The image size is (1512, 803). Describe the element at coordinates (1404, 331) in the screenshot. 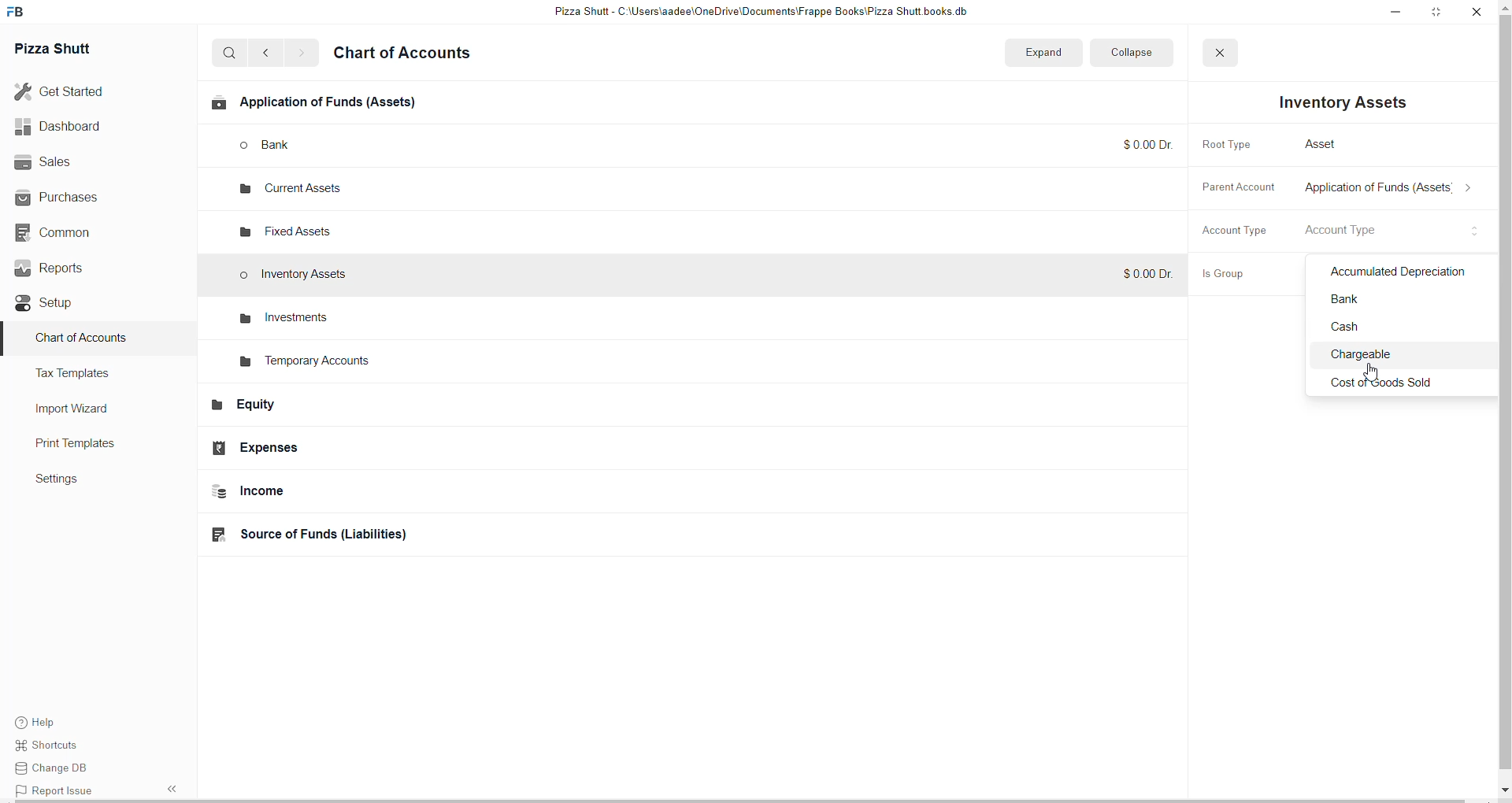

I see `cash` at that location.